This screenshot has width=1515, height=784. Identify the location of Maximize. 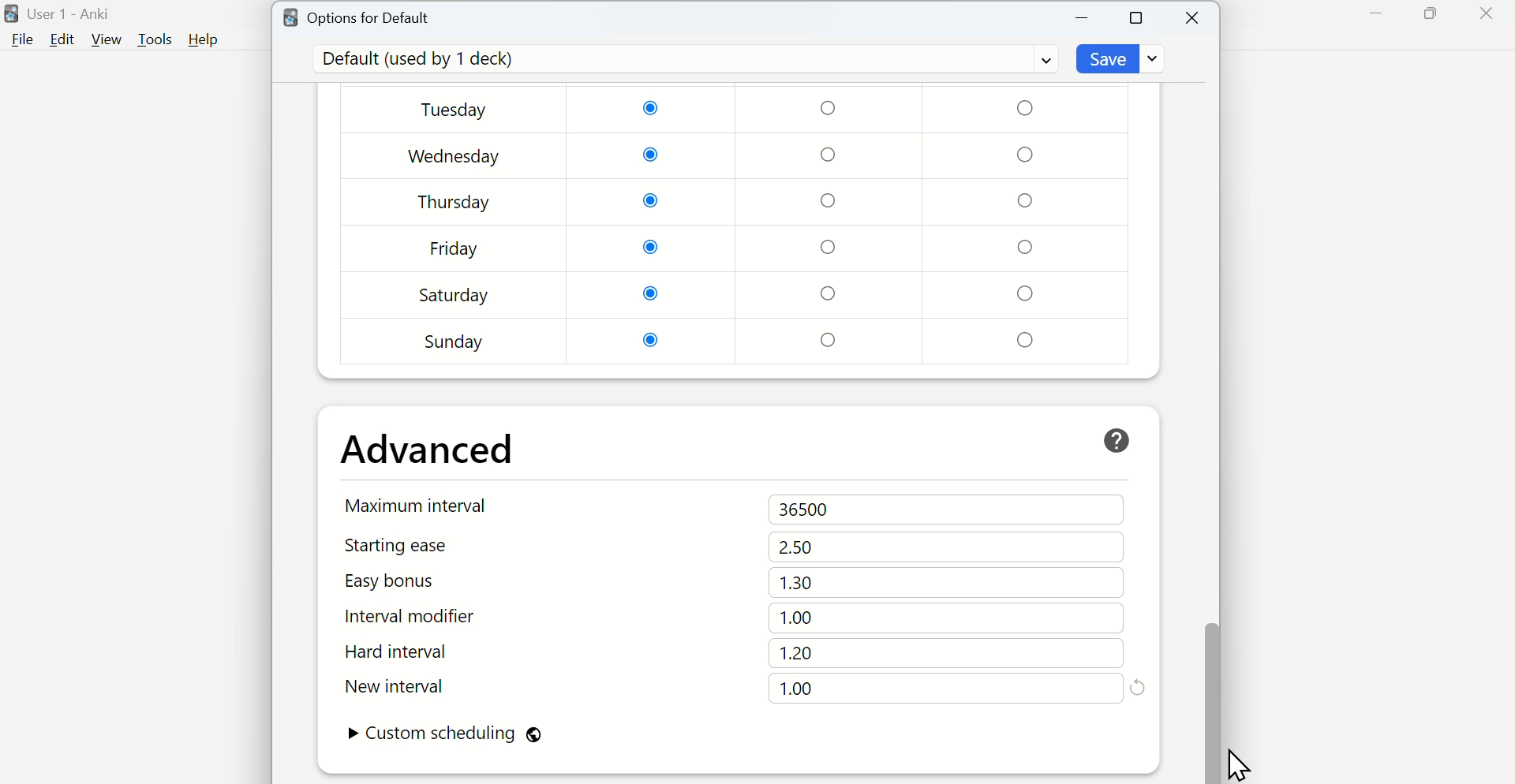
(1137, 17).